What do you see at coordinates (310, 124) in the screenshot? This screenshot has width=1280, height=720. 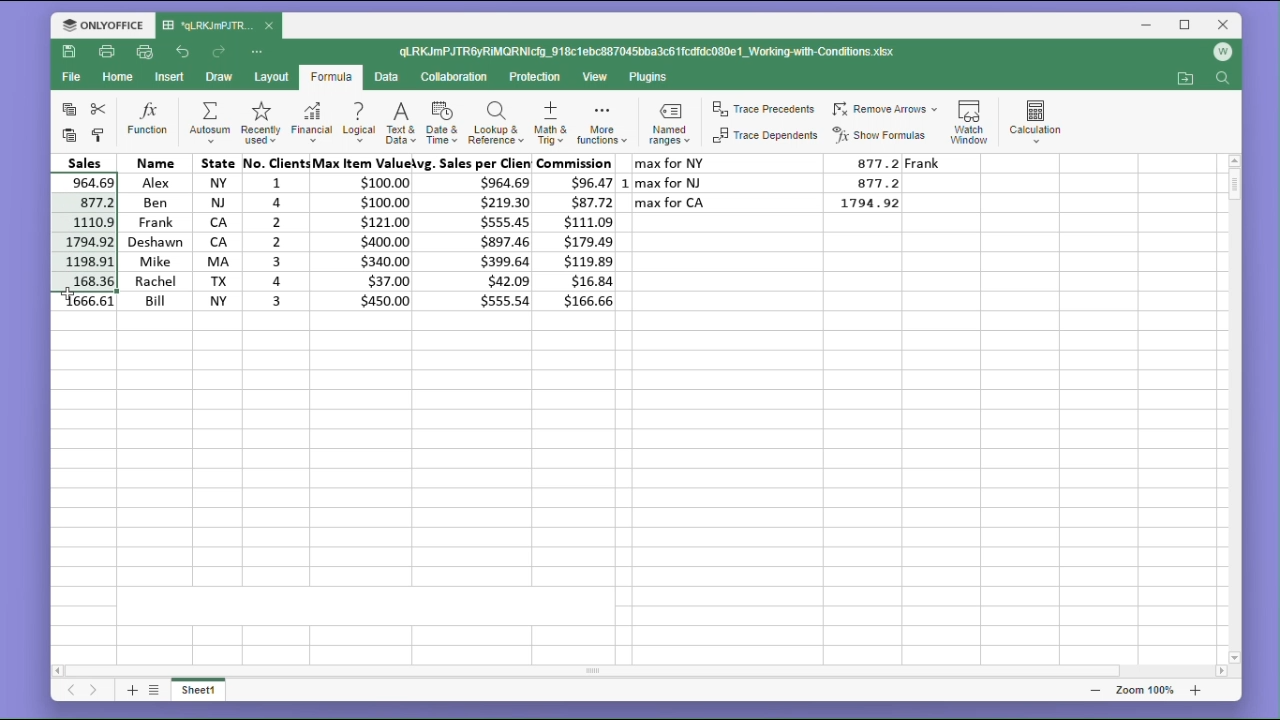 I see `financial` at bounding box center [310, 124].